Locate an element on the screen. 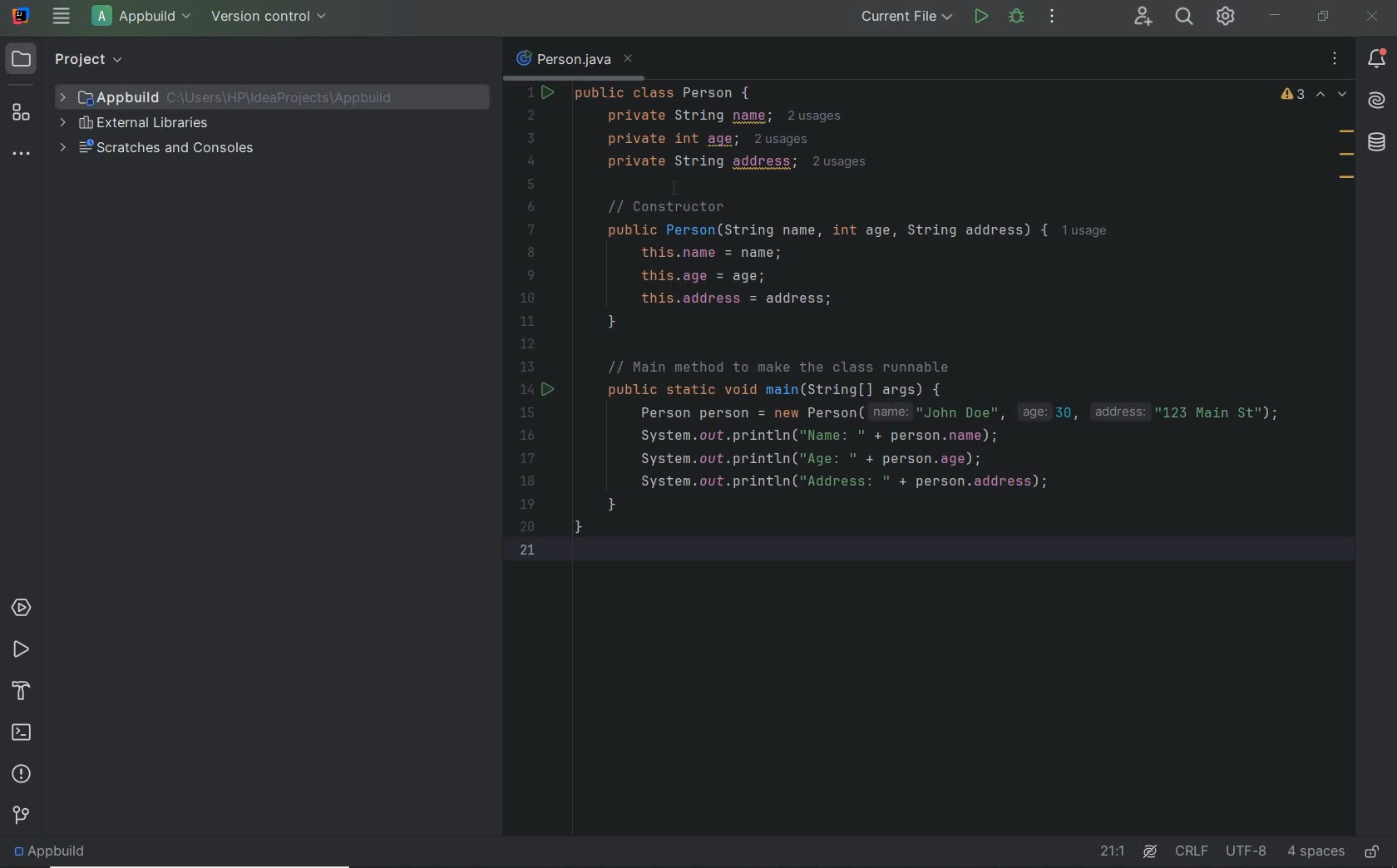  project file name is located at coordinates (240, 96).